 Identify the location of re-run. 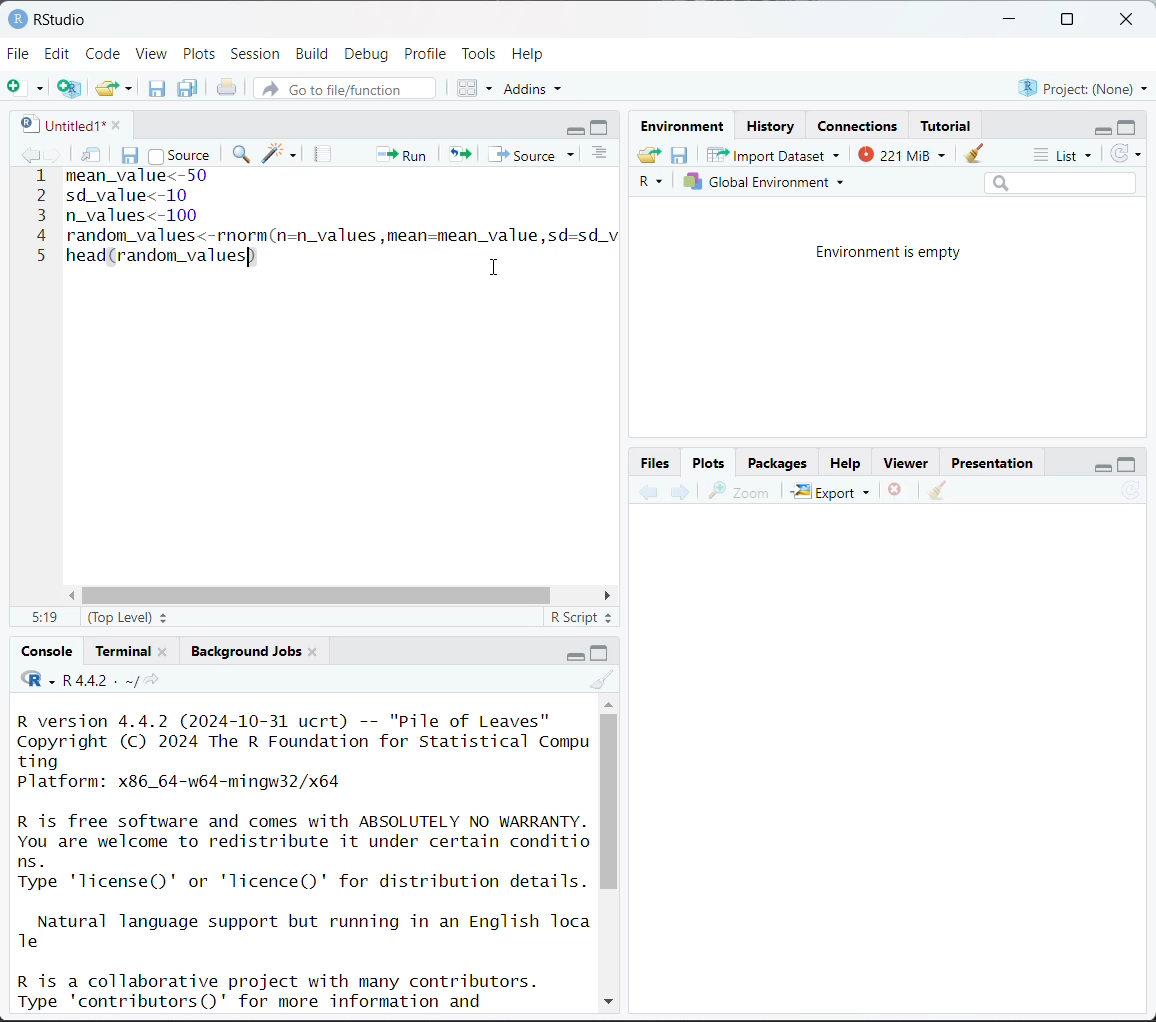
(458, 153).